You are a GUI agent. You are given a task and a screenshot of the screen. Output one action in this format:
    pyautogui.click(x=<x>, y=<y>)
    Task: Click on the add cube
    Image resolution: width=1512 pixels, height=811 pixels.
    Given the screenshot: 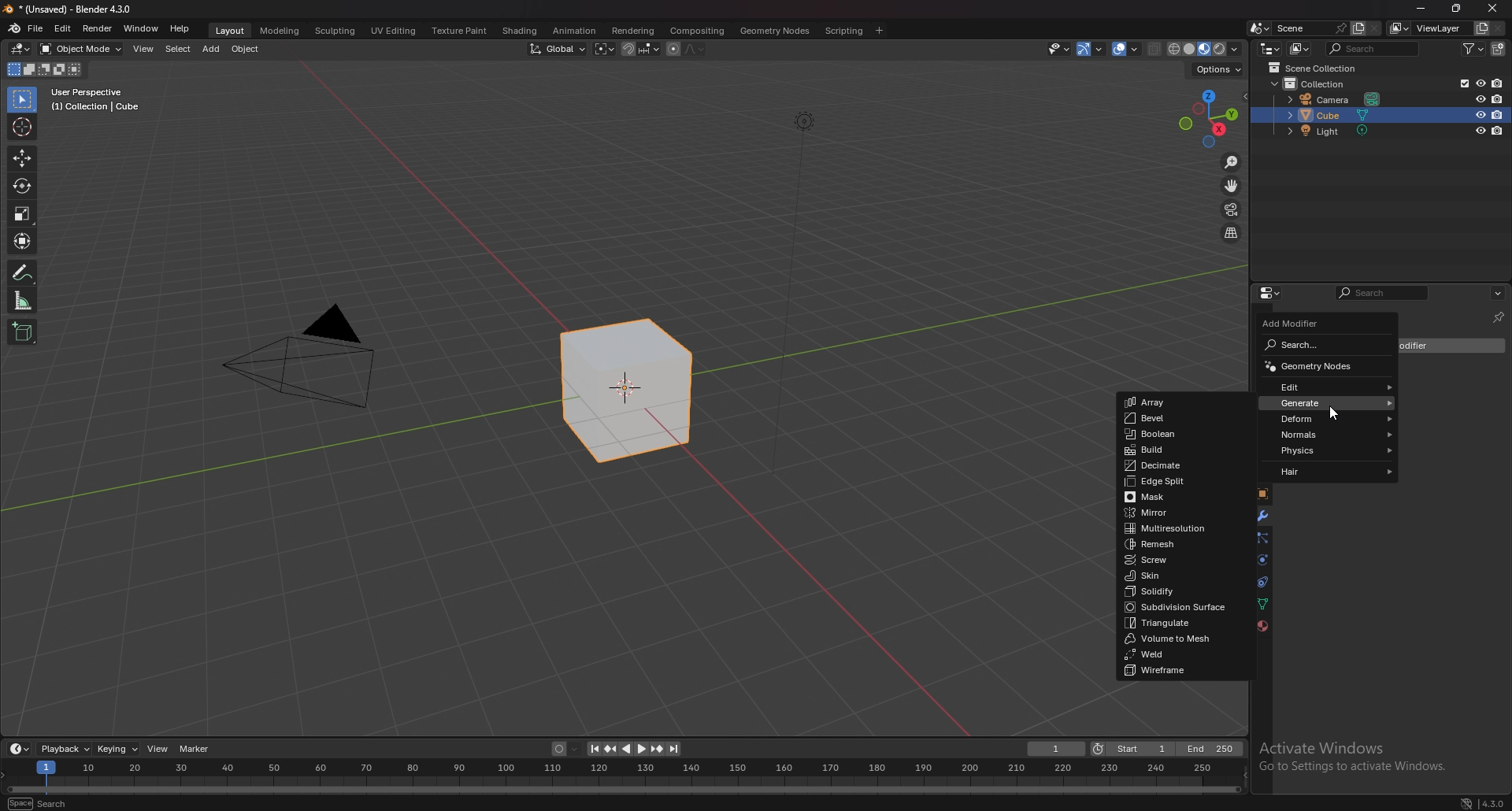 What is the action you would take?
    pyautogui.click(x=21, y=332)
    